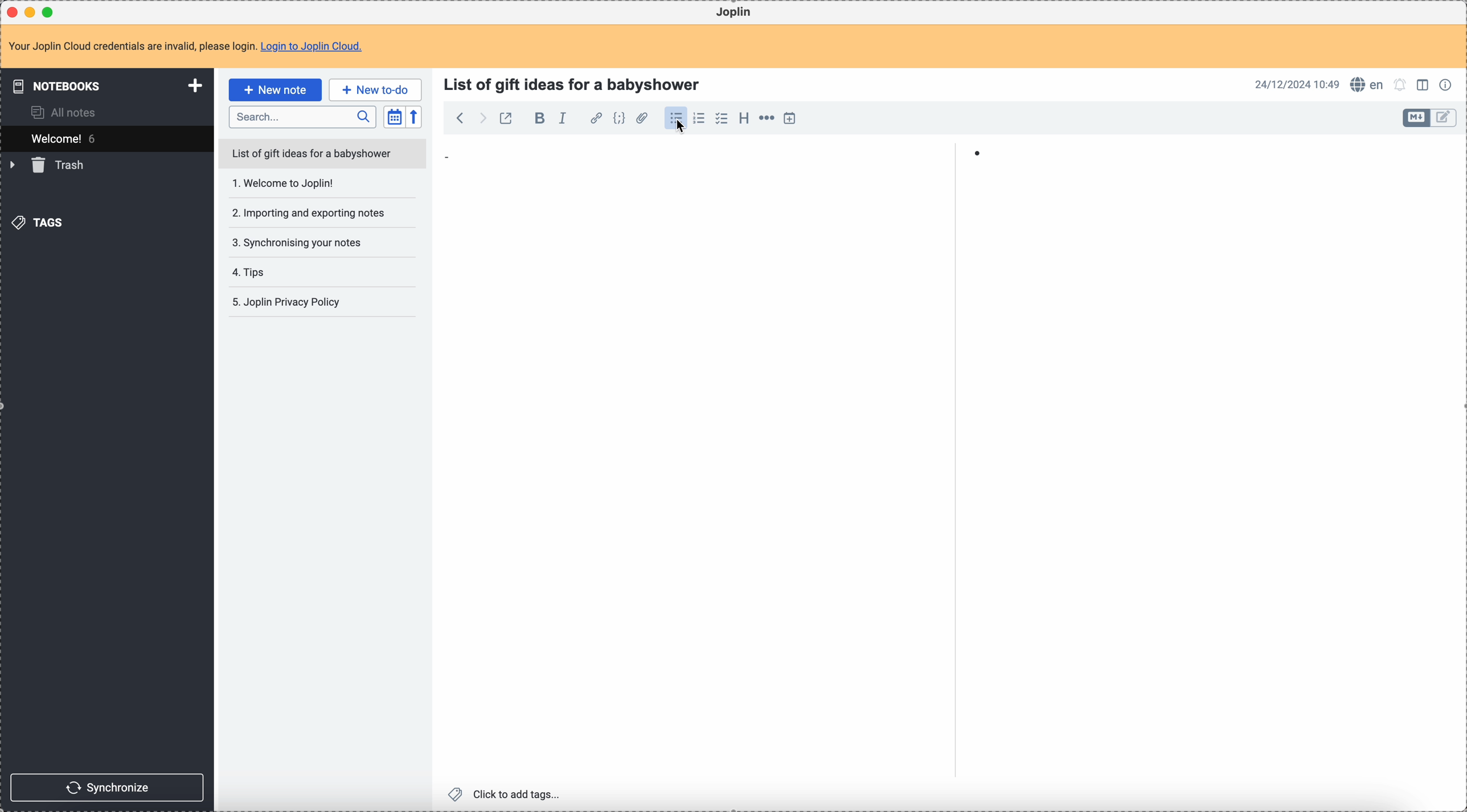 The image size is (1467, 812). What do you see at coordinates (1400, 85) in the screenshot?
I see `set alarm` at bounding box center [1400, 85].